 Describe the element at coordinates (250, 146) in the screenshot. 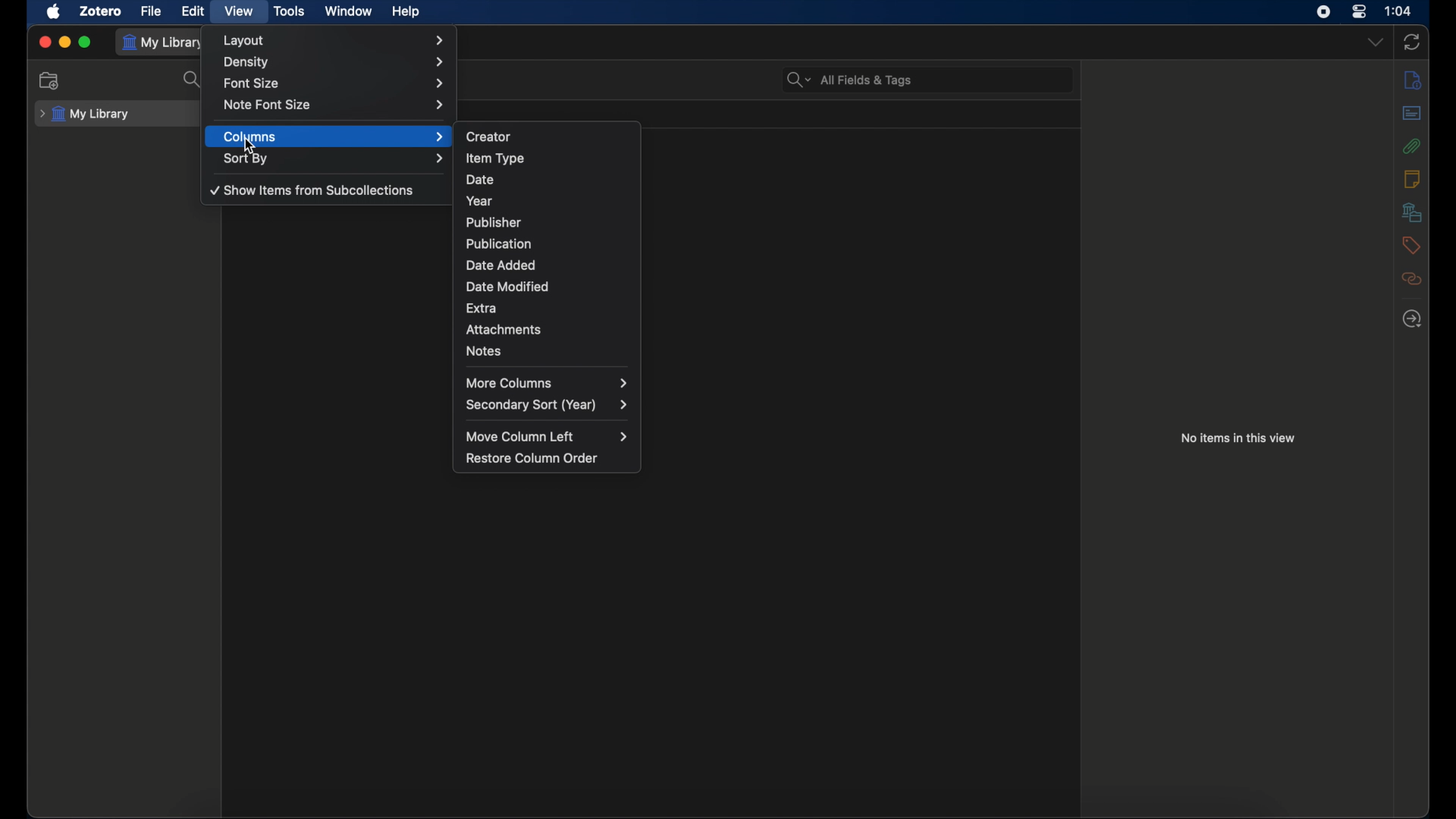

I see `cursor` at that location.